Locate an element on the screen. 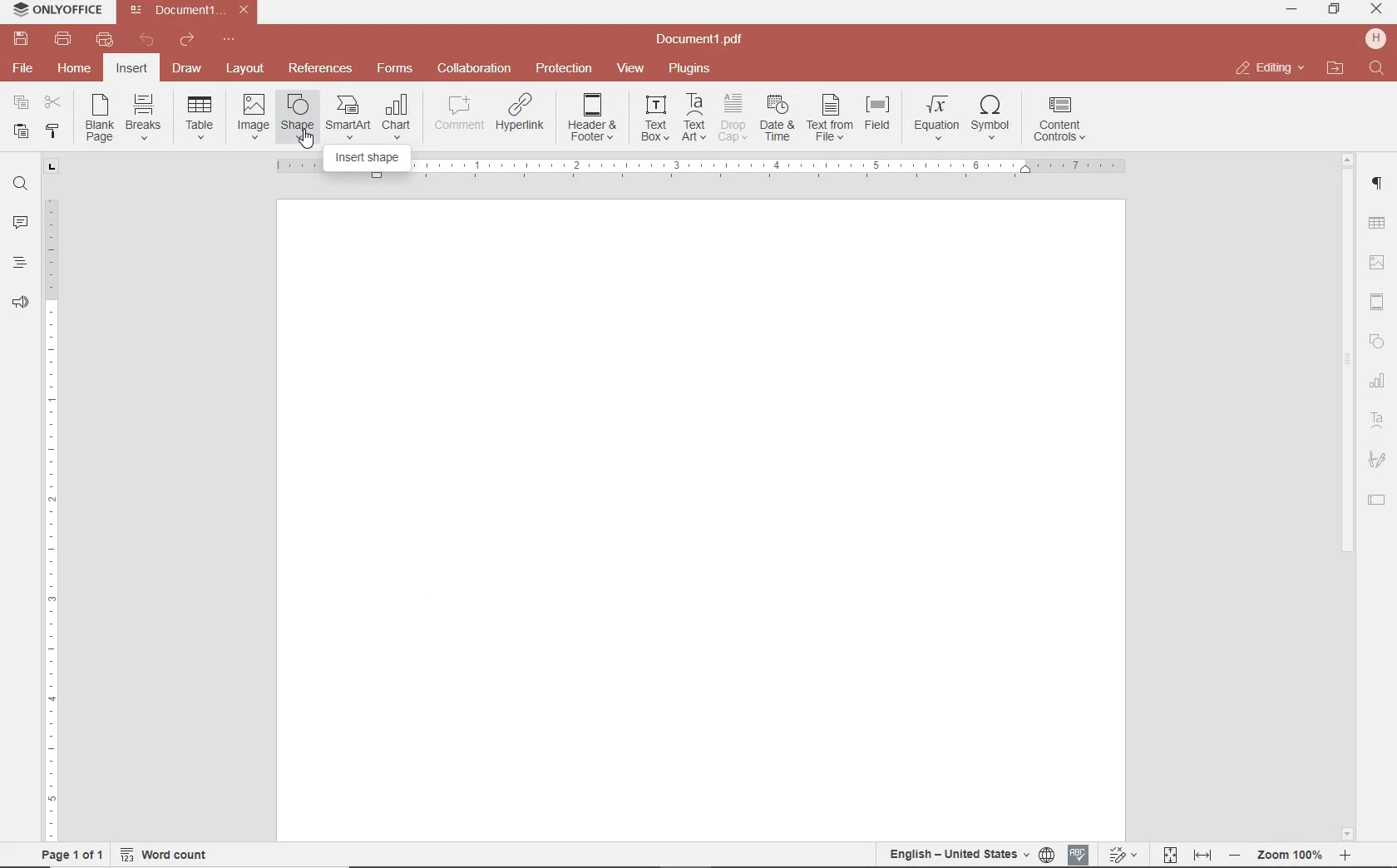 This screenshot has height=868, width=1397. insert drop down is located at coordinates (205, 116).